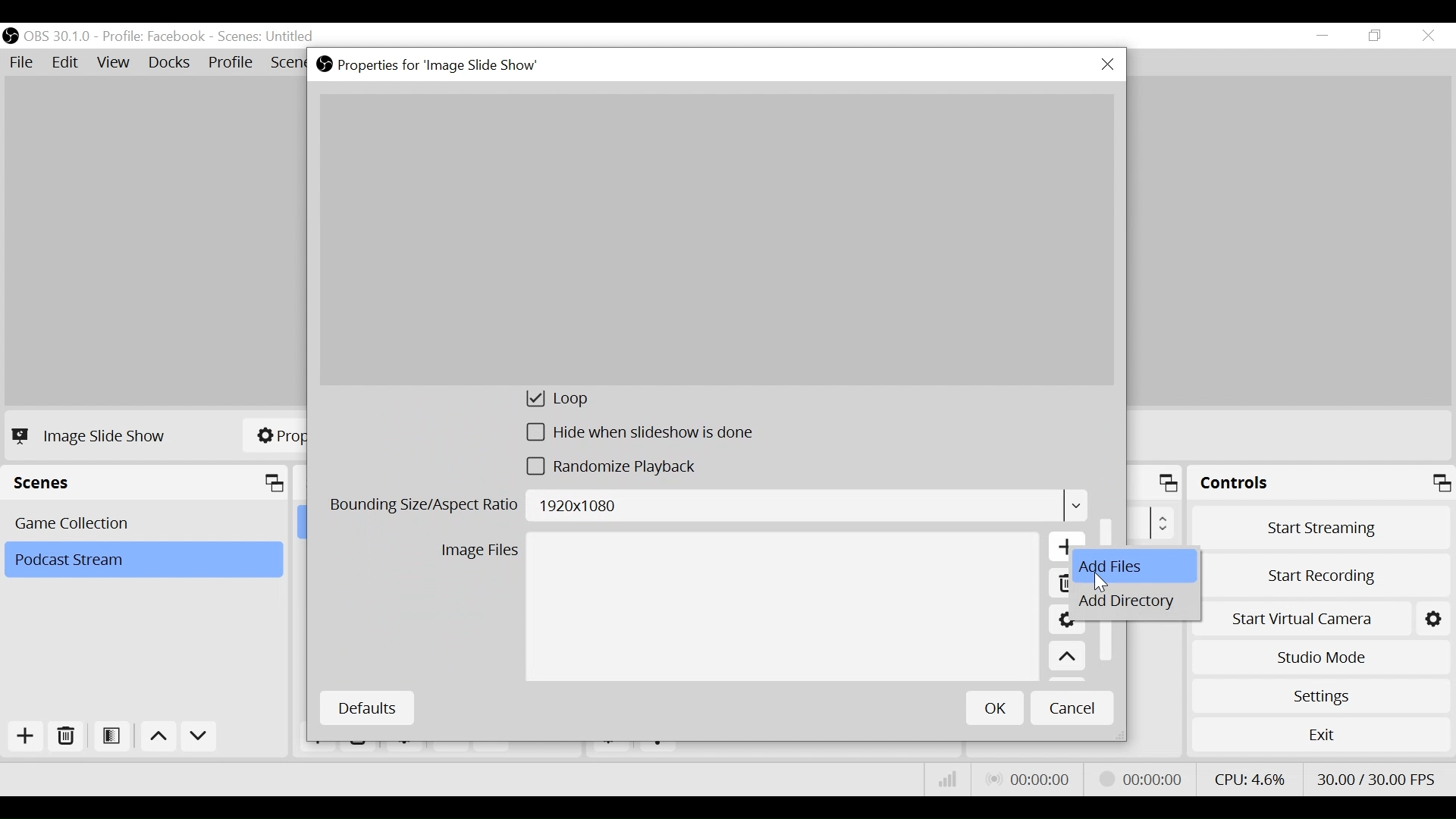 The width and height of the screenshot is (1456, 819). Describe the element at coordinates (149, 483) in the screenshot. I see `Scenes` at that location.